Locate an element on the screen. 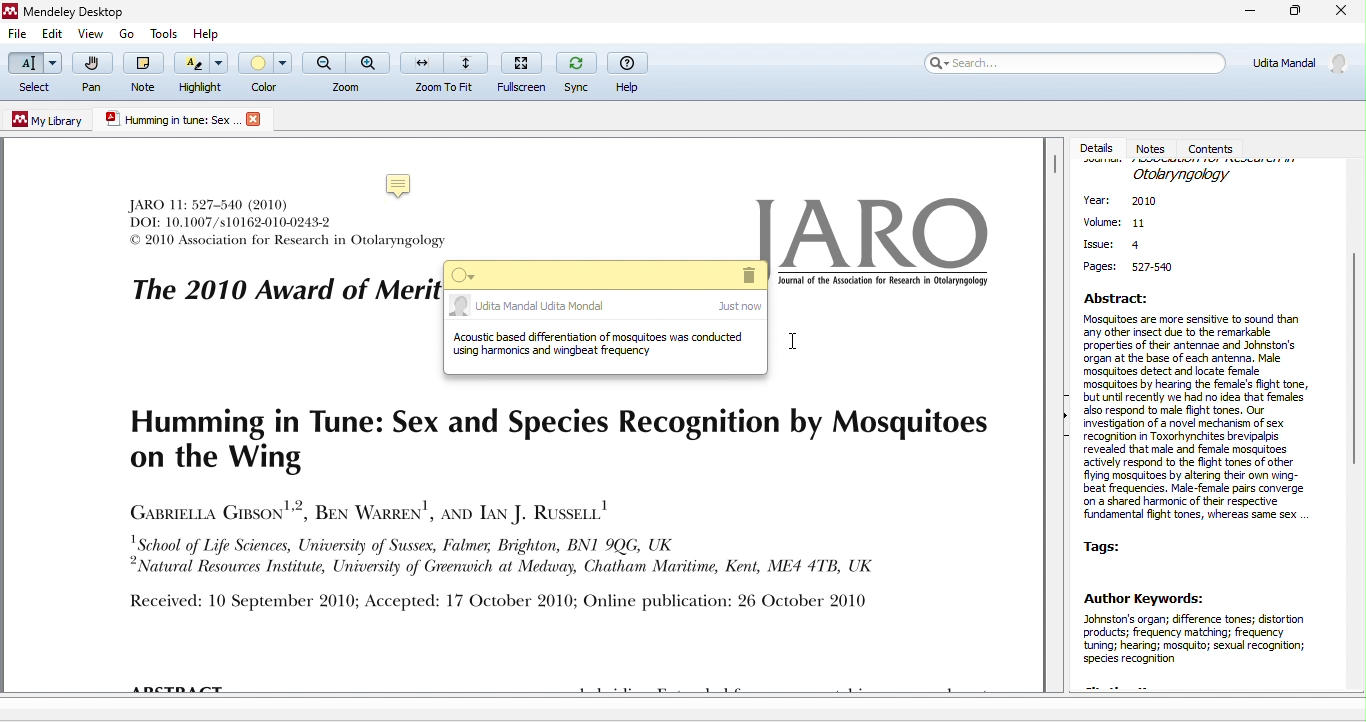 The image size is (1366, 722). page: 527-540 is located at coordinates (1133, 268).